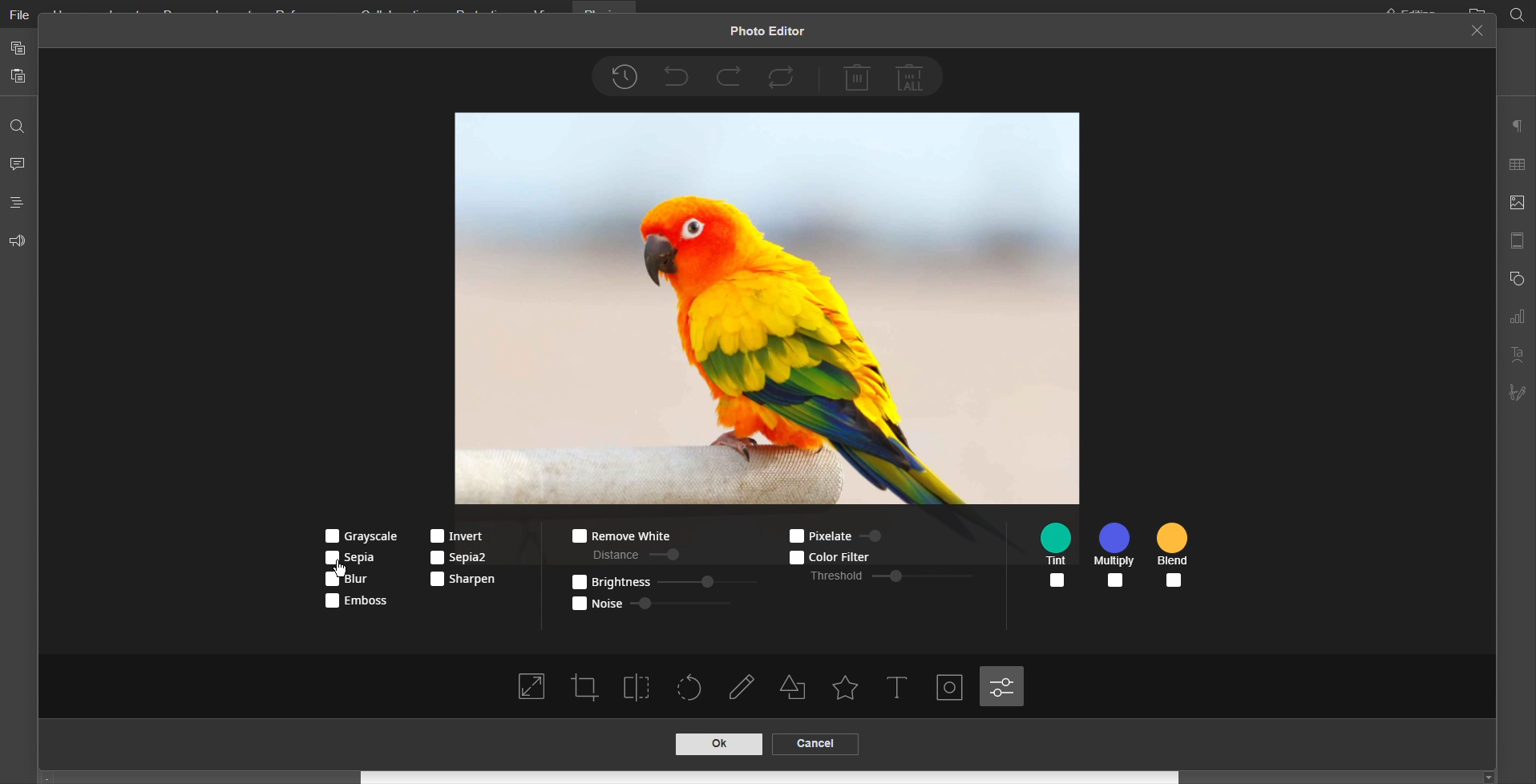 This screenshot has width=1536, height=784. What do you see at coordinates (1175, 557) in the screenshot?
I see `Blend` at bounding box center [1175, 557].